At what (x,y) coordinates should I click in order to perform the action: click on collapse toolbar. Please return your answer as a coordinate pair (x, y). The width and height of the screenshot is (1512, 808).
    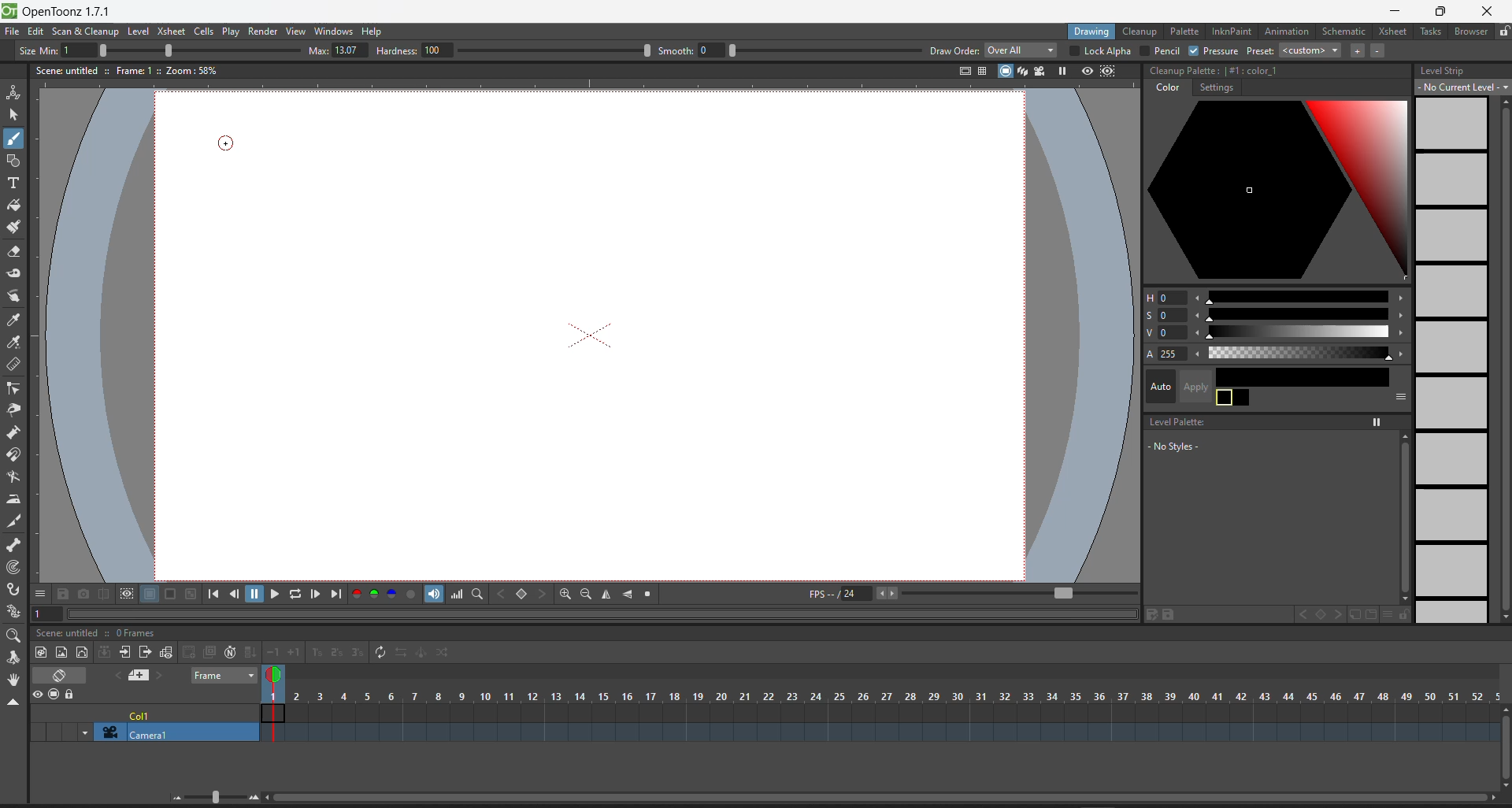
    Looking at the image, I should click on (15, 701).